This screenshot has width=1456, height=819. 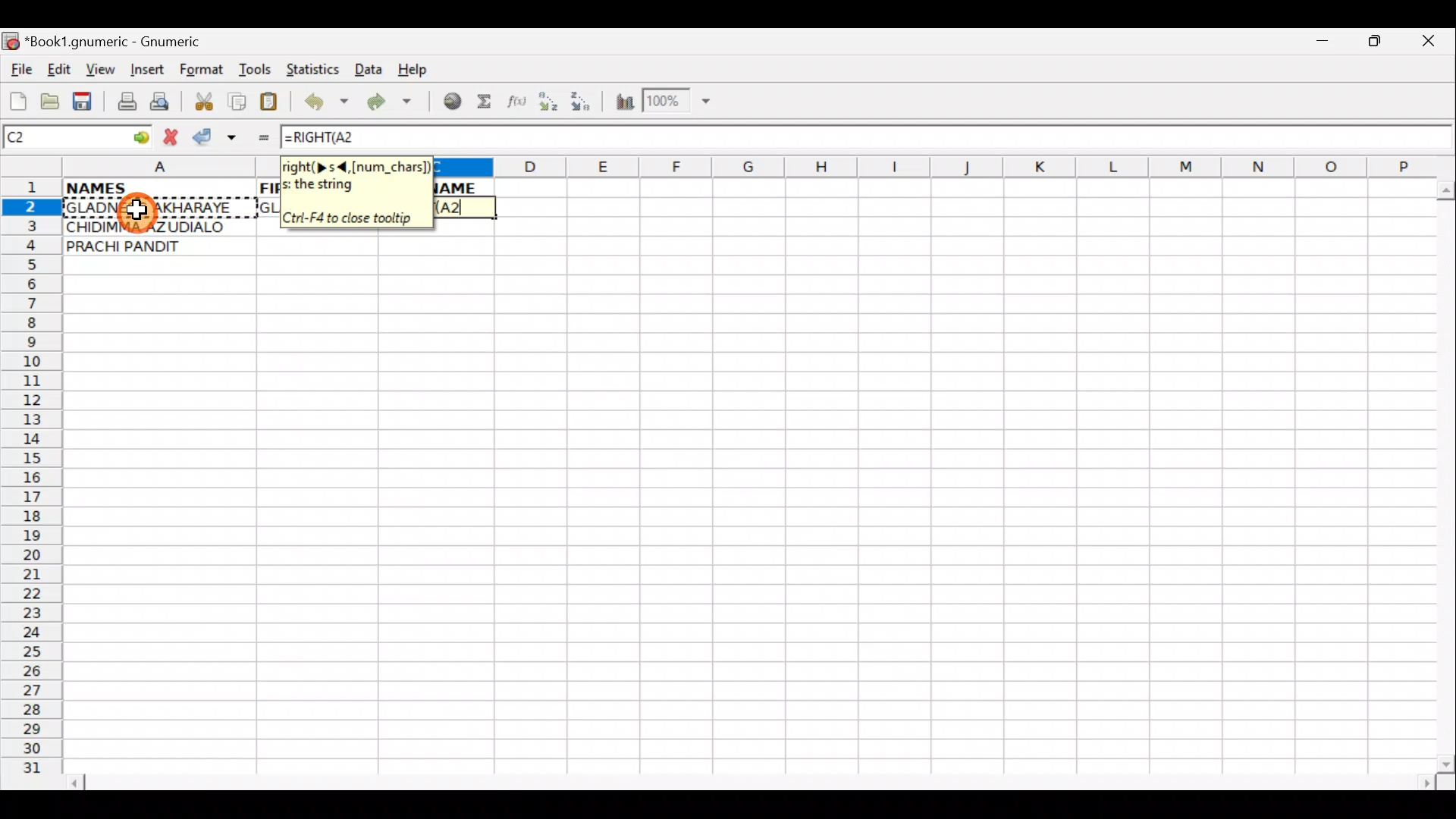 I want to click on Sort Ascending order, so click(x=553, y=105).